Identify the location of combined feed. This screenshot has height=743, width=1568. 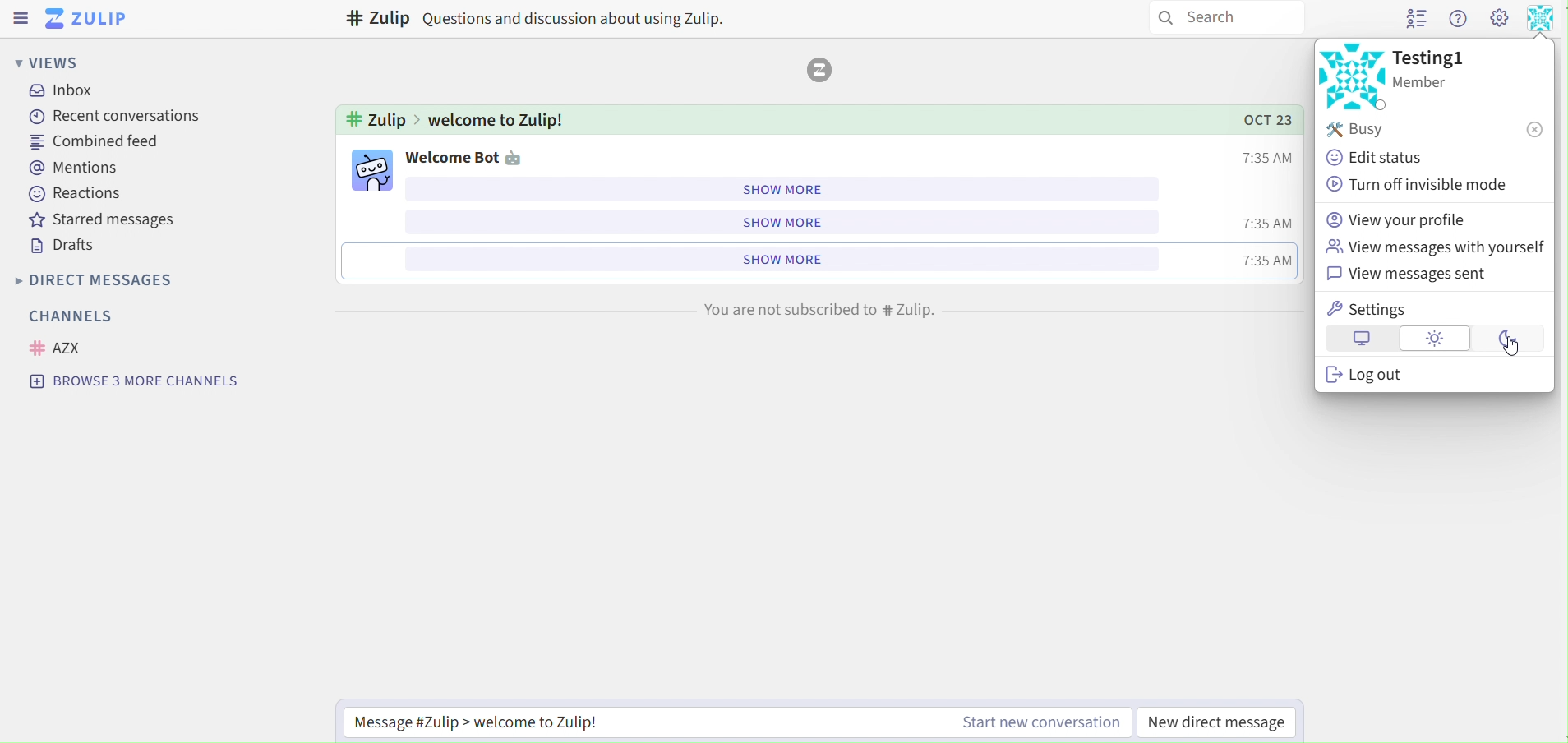
(97, 142).